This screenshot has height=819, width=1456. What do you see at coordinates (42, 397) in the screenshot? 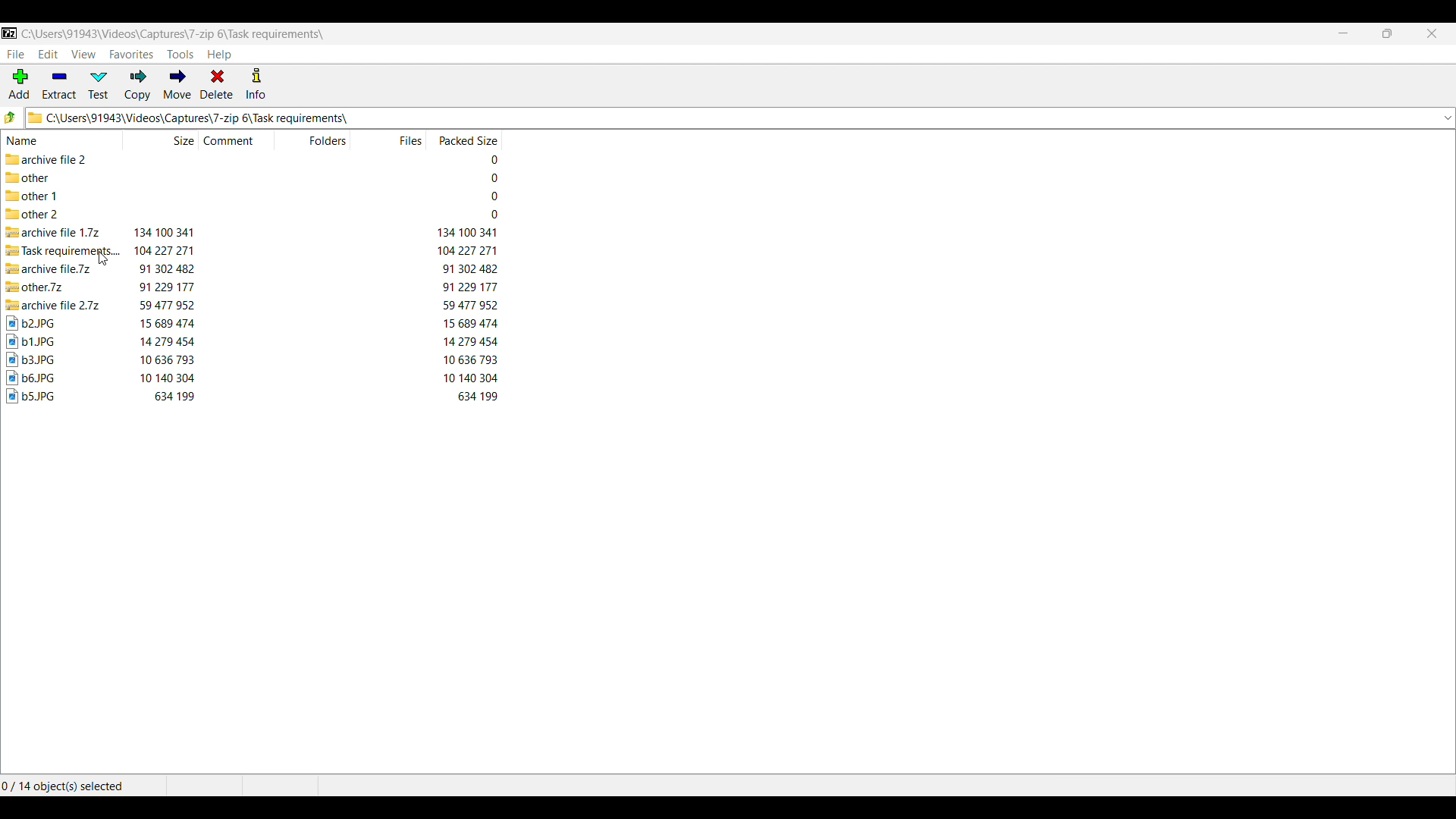
I see `image file` at bounding box center [42, 397].